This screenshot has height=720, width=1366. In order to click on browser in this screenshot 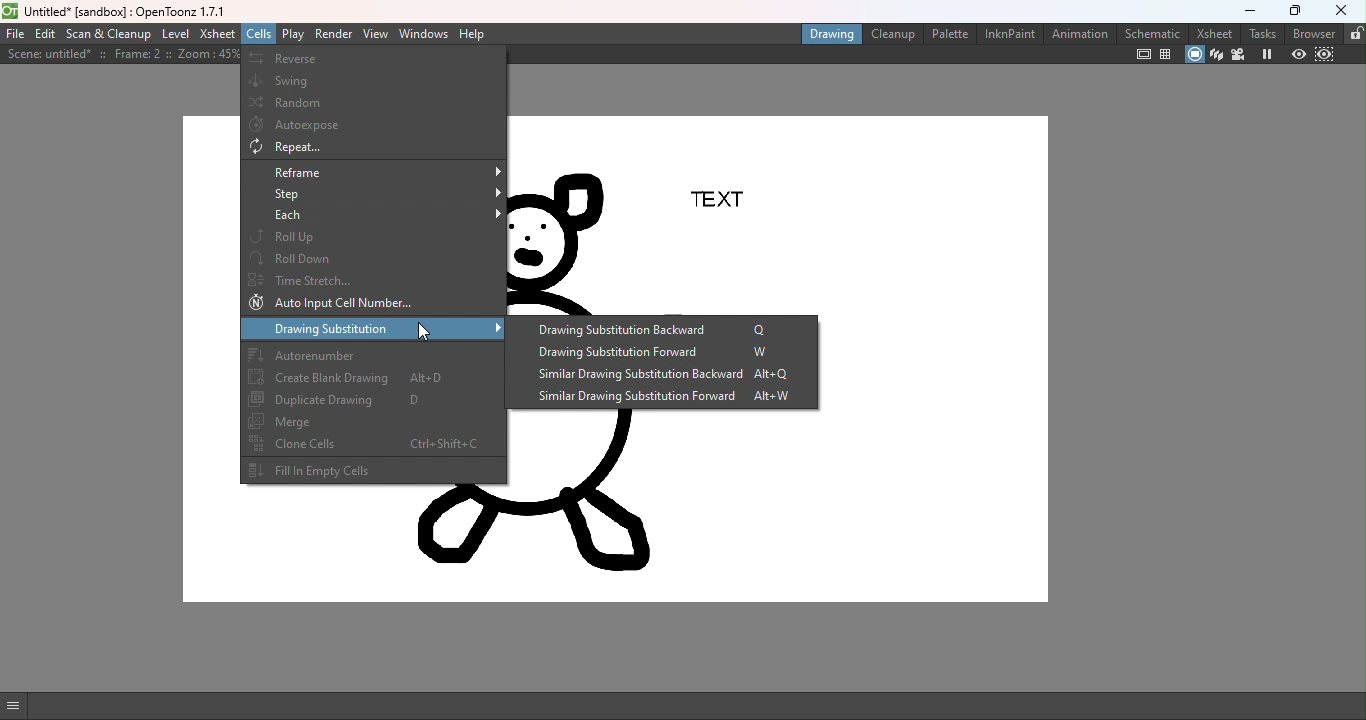, I will do `click(1309, 34)`.